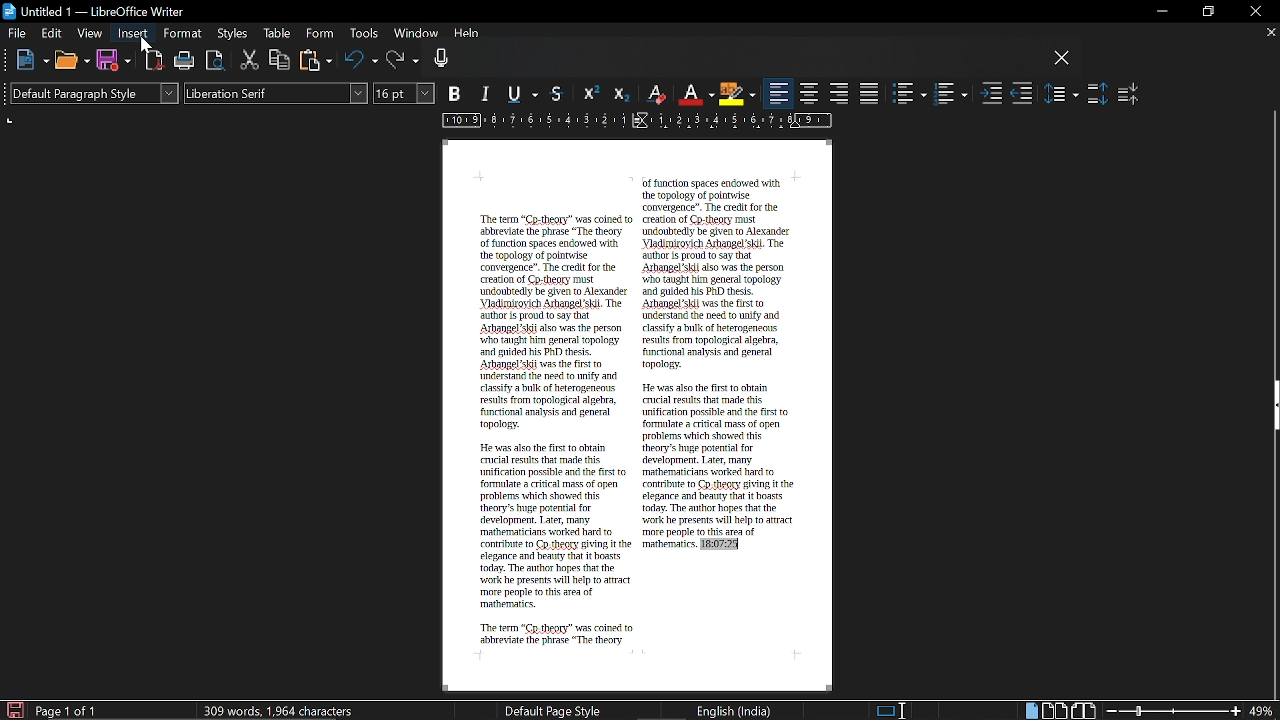 This screenshot has height=720, width=1280. What do you see at coordinates (414, 35) in the screenshot?
I see `Window` at bounding box center [414, 35].